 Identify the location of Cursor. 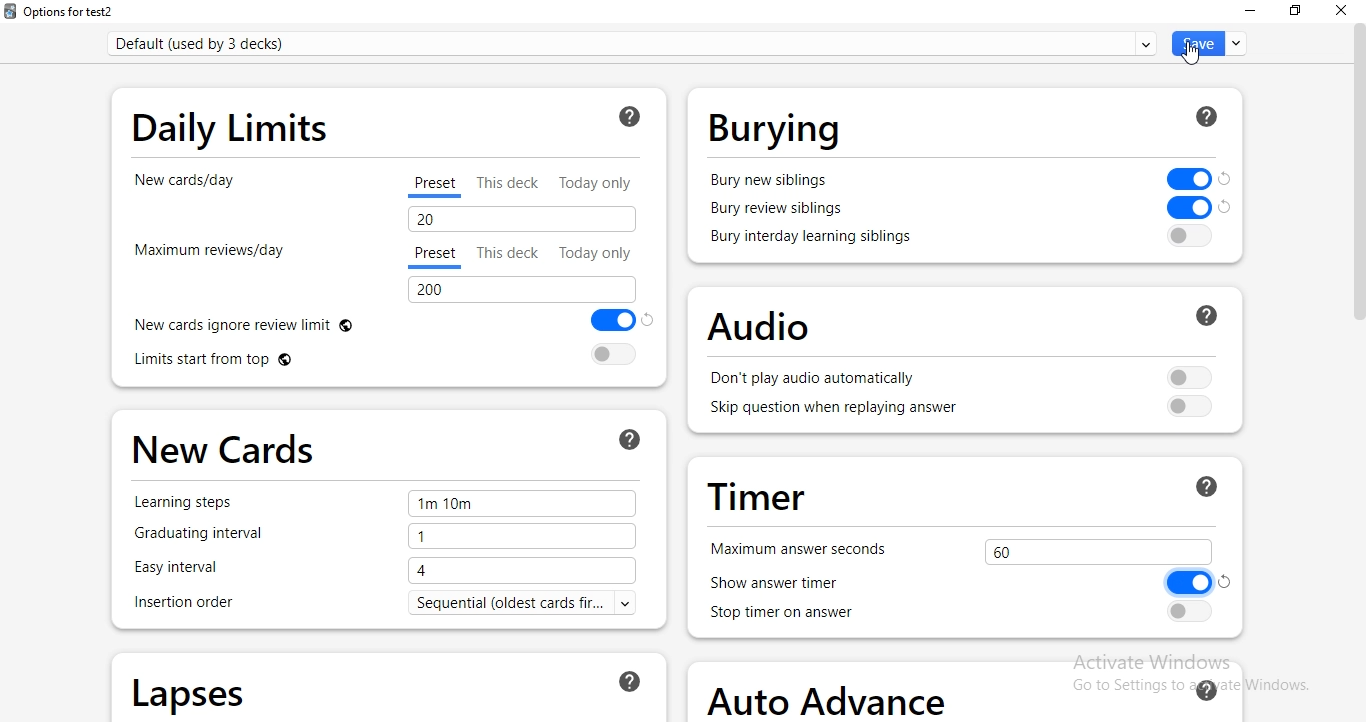
(1191, 53).